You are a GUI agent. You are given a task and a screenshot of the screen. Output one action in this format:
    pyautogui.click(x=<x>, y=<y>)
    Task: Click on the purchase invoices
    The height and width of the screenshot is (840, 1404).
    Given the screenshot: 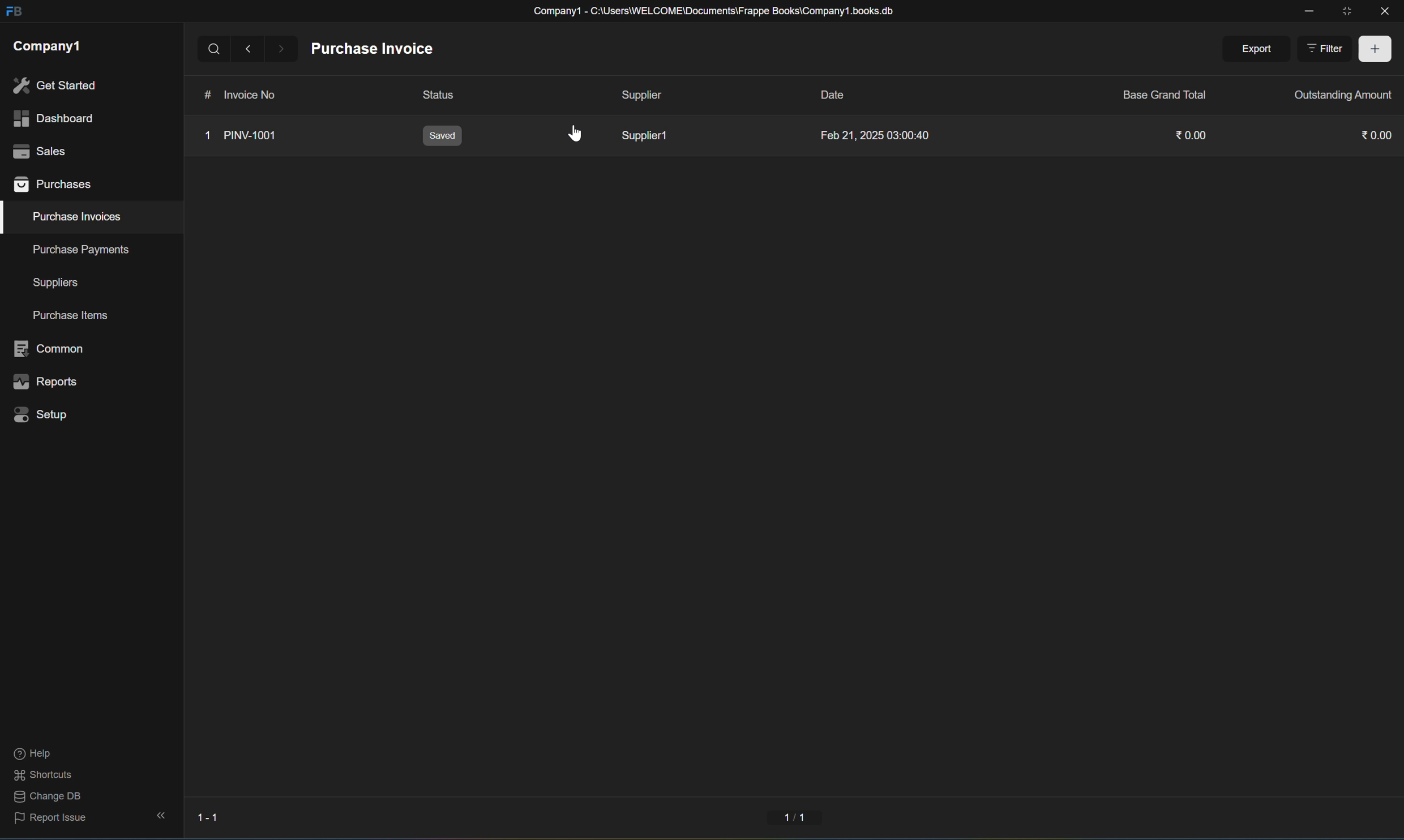 What is the action you would take?
    pyautogui.click(x=78, y=217)
    